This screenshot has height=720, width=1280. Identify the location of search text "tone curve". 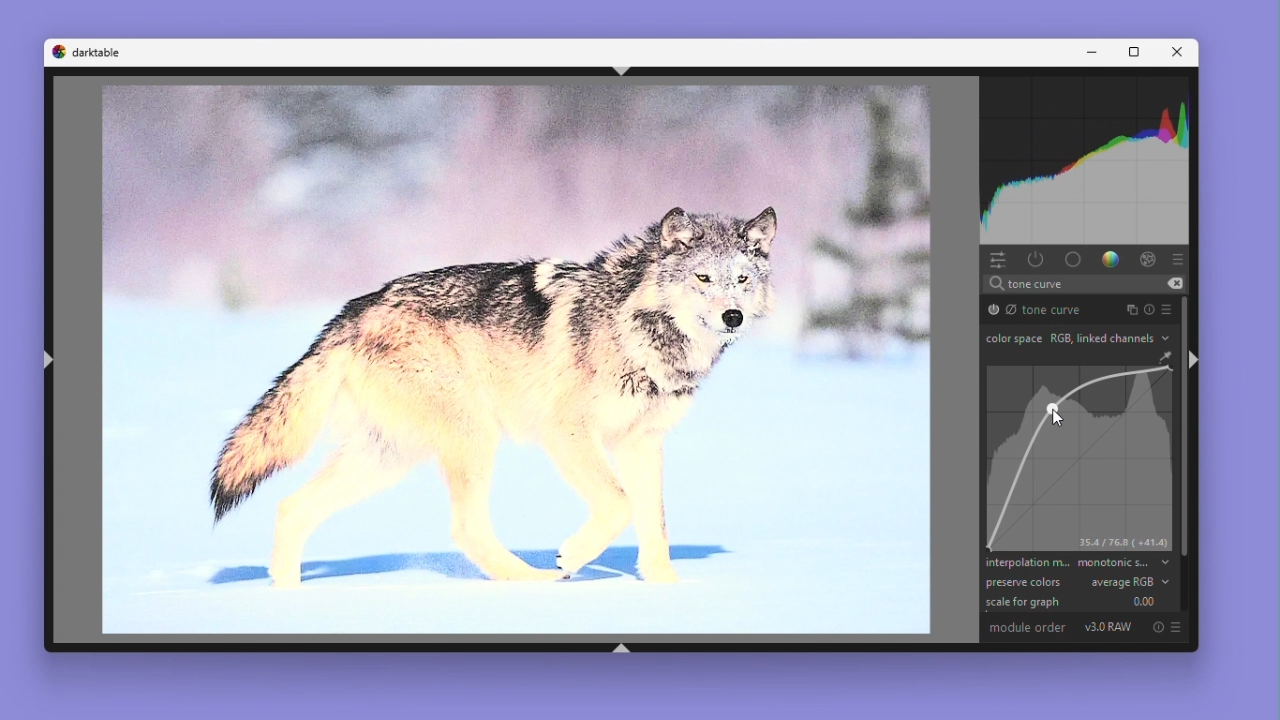
(1082, 284).